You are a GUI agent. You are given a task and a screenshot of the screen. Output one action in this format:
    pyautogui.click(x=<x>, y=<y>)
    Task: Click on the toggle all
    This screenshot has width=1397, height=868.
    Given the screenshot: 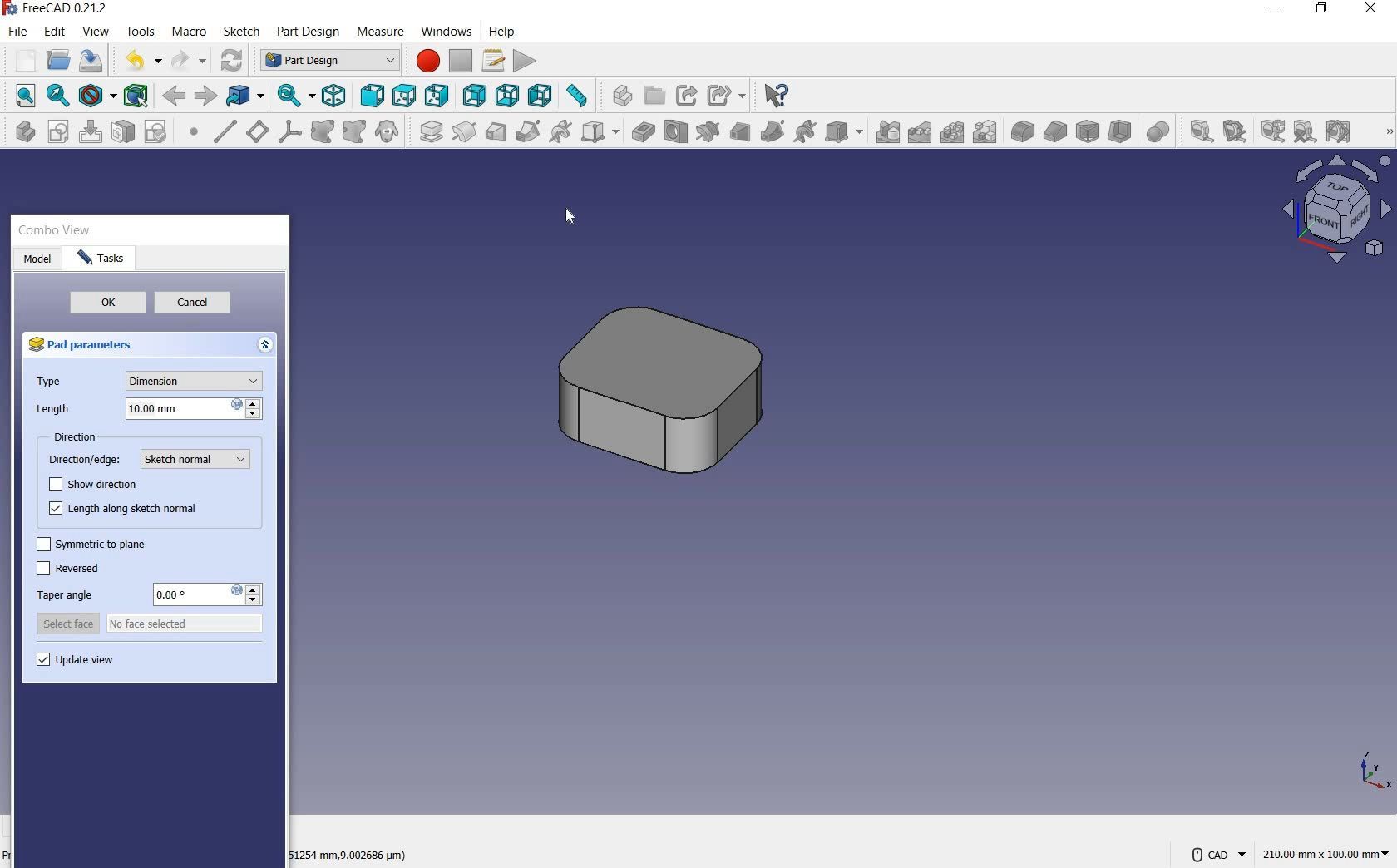 What is the action you would take?
    pyautogui.click(x=1341, y=132)
    